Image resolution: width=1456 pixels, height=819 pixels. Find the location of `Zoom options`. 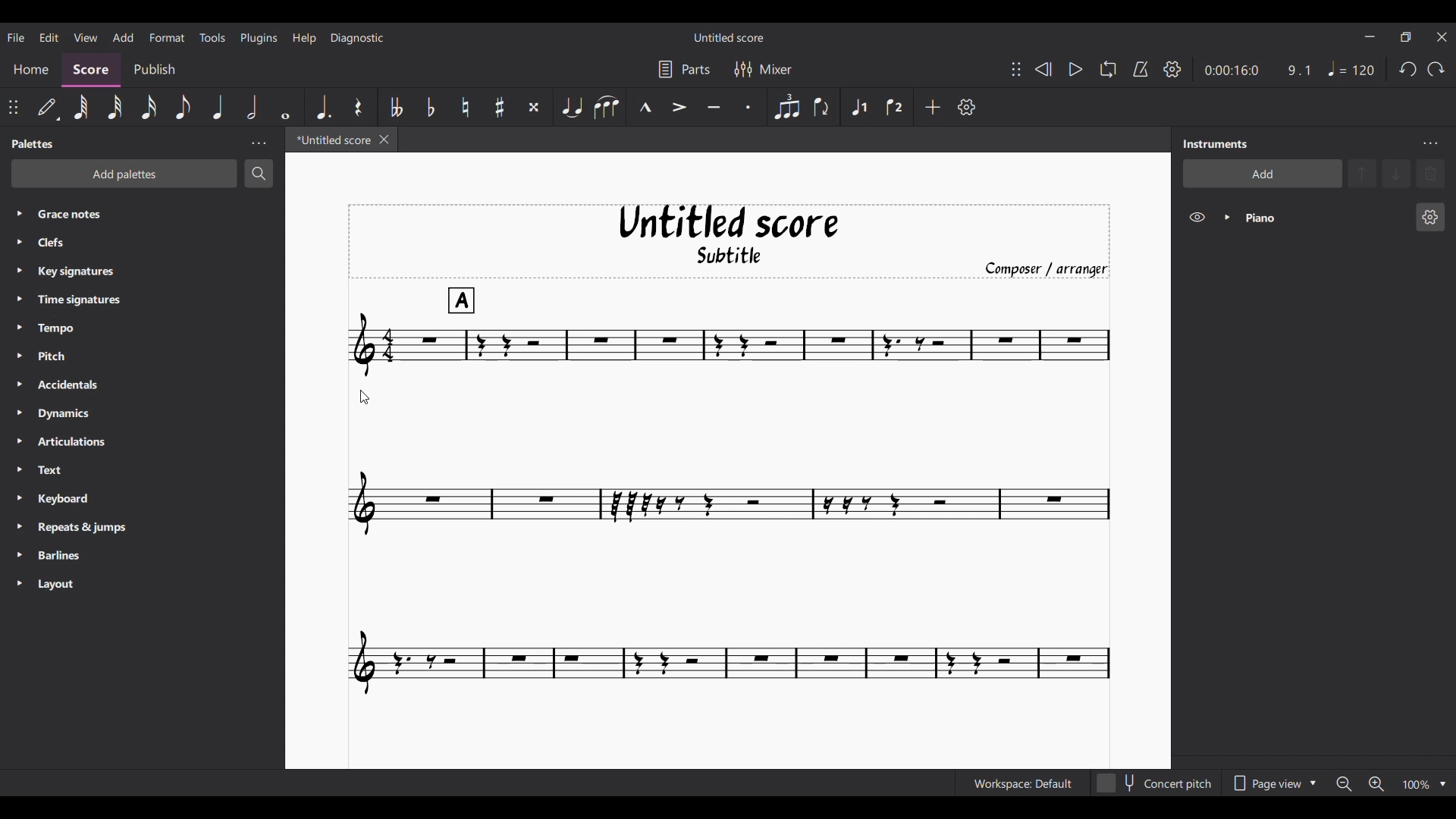

Zoom options is located at coordinates (1442, 784).